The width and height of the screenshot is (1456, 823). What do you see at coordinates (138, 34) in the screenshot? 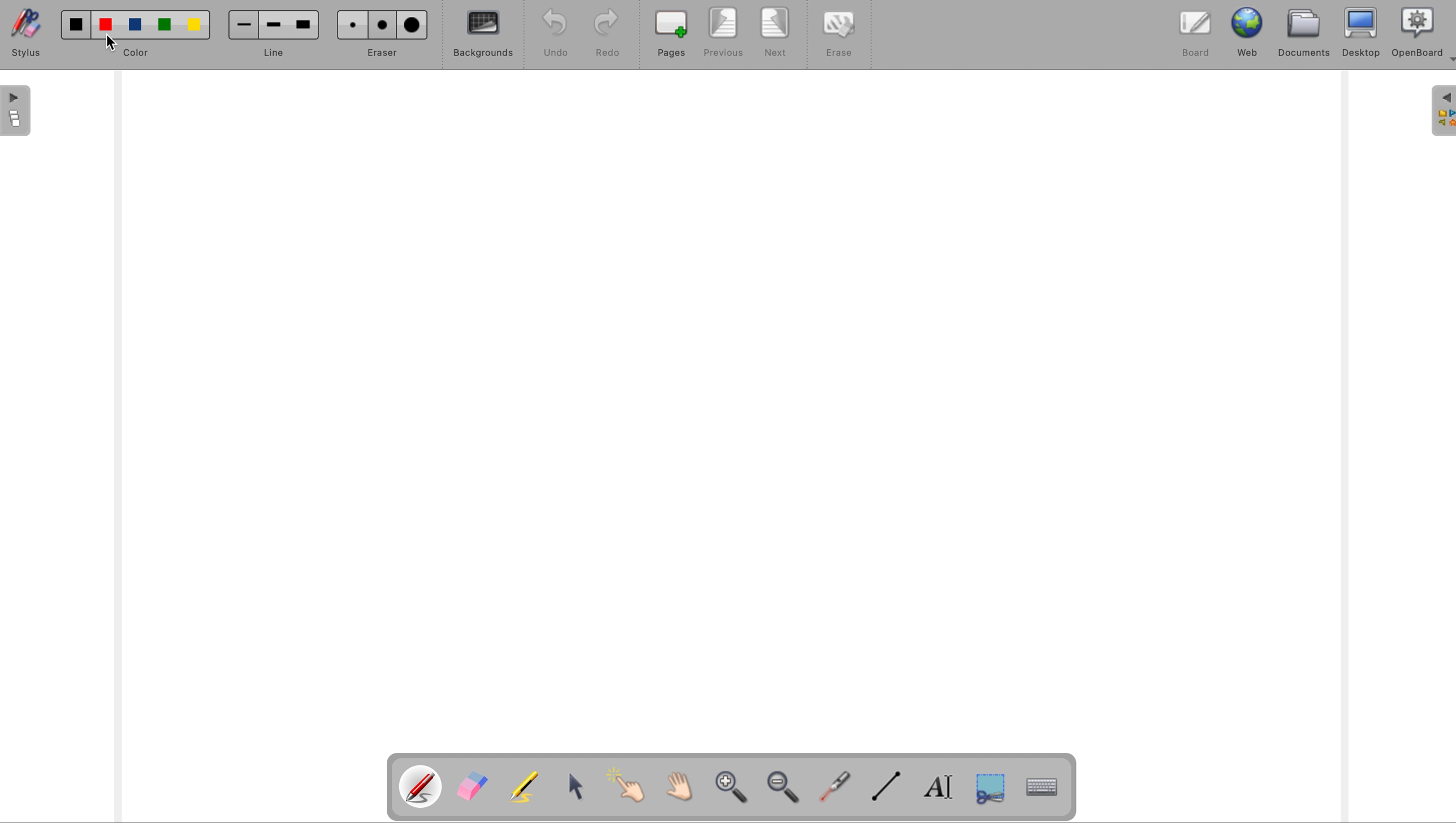
I see `color` at bounding box center [138, 34].